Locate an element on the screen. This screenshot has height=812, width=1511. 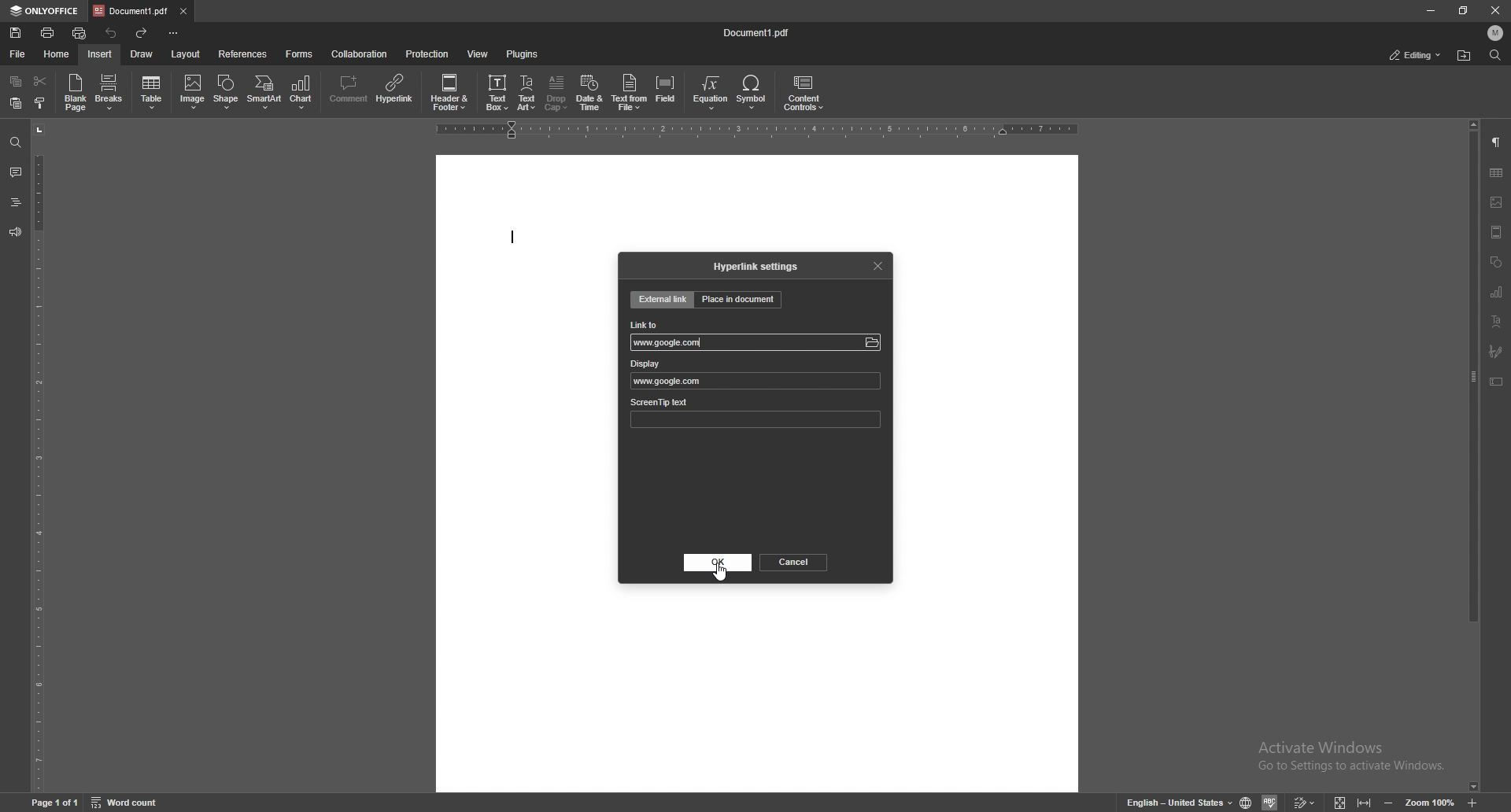
find is located at coordinates (14, 141).